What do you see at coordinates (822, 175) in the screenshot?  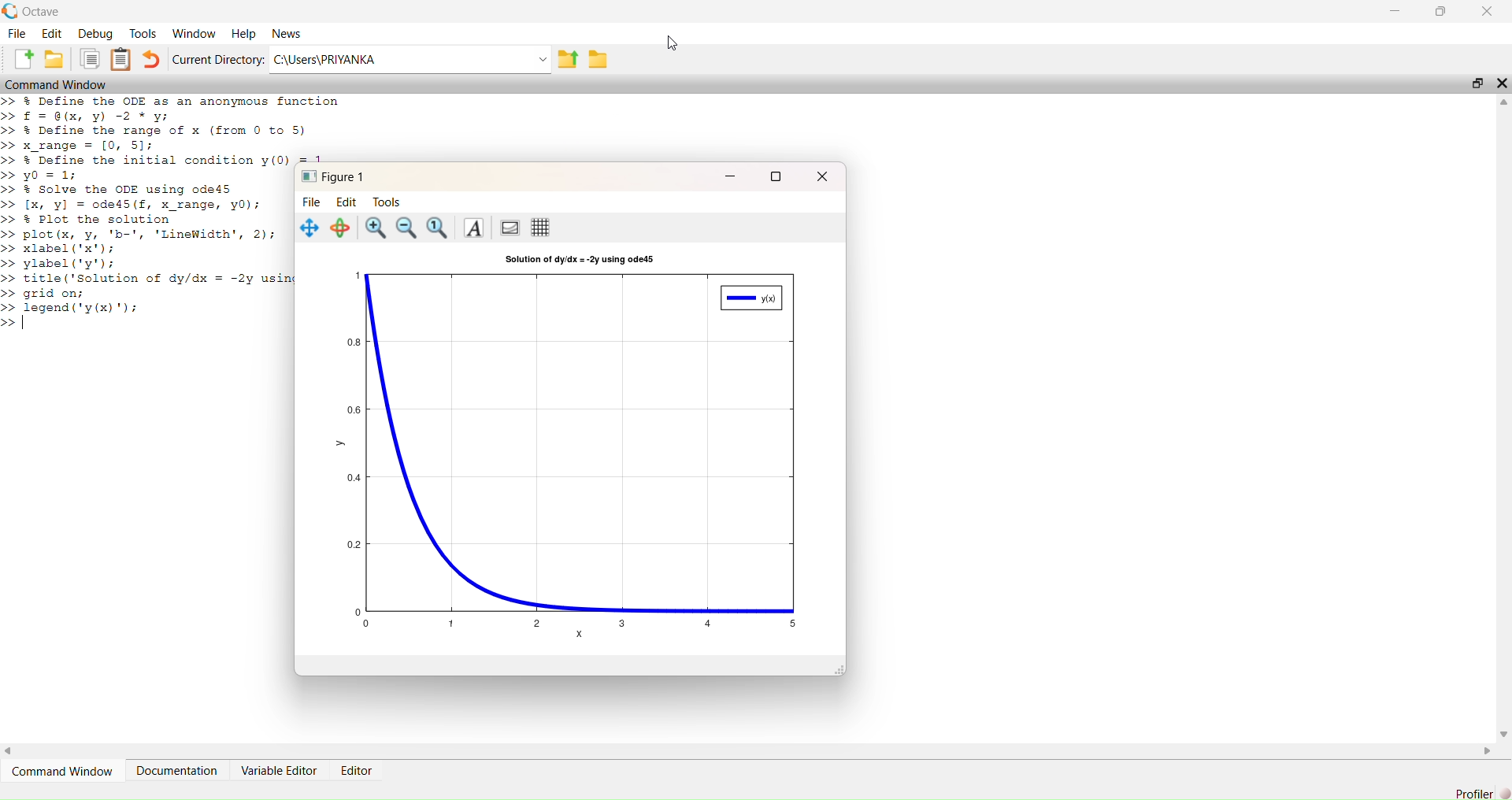 I see `close` at bounding box center [822, 175].